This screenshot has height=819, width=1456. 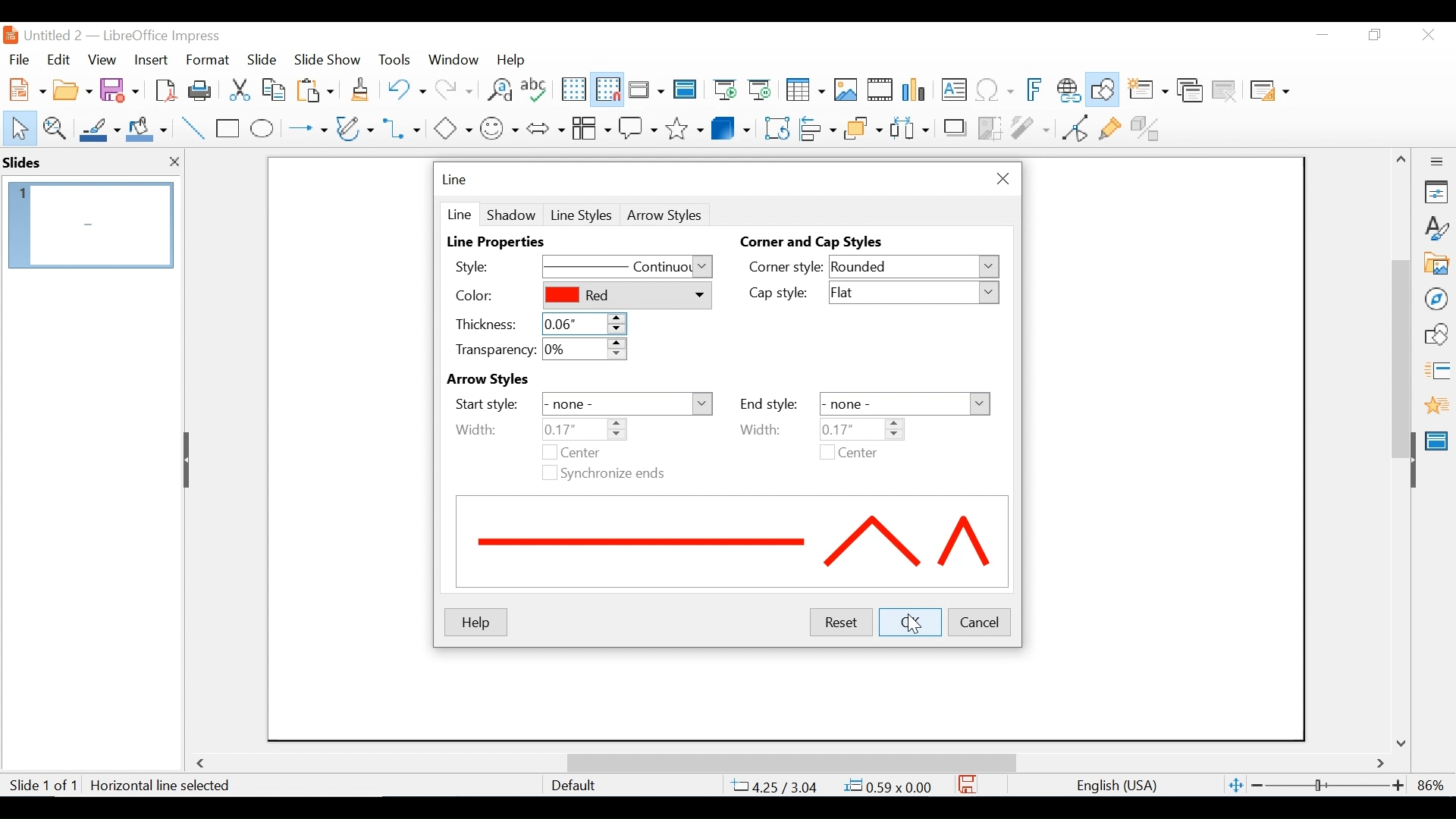 What do you see at coordinates (194, 129) in the screenshot?
I see `Insert Line` at bounding box center [194, 129].